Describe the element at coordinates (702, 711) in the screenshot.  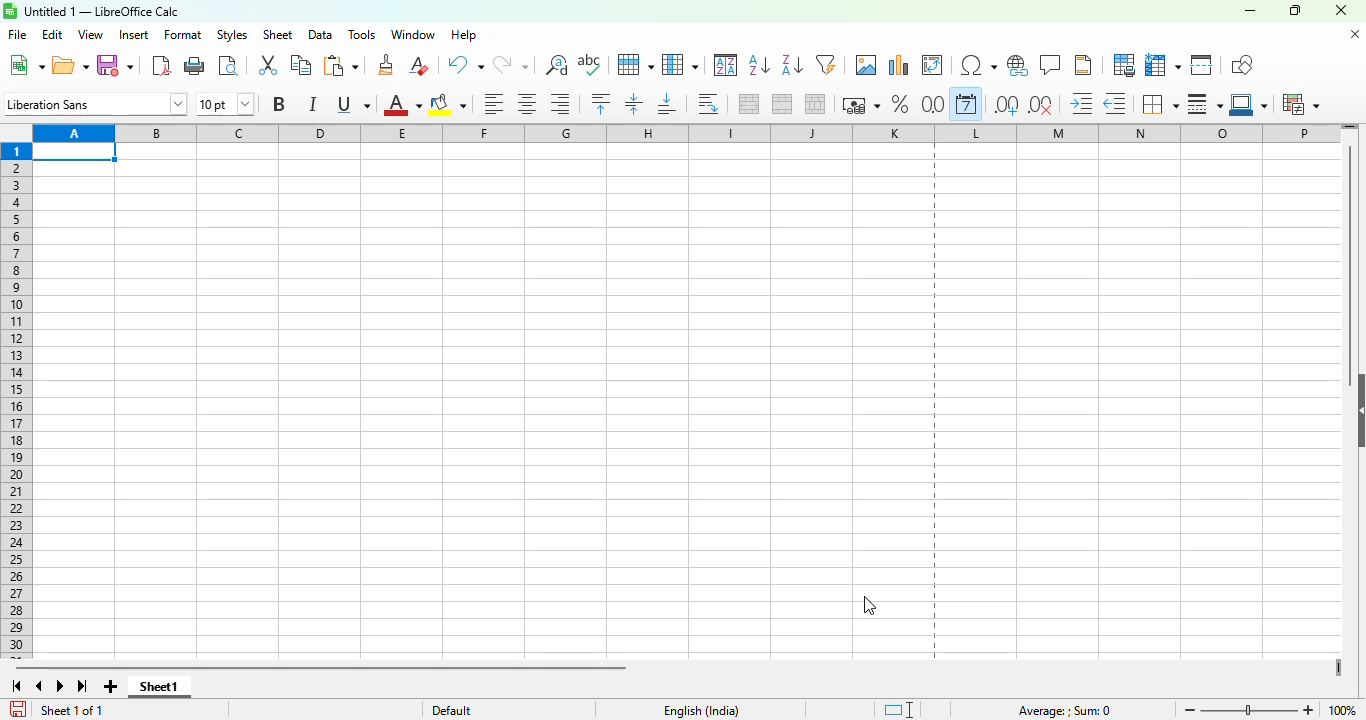
I see `text language` at that location.